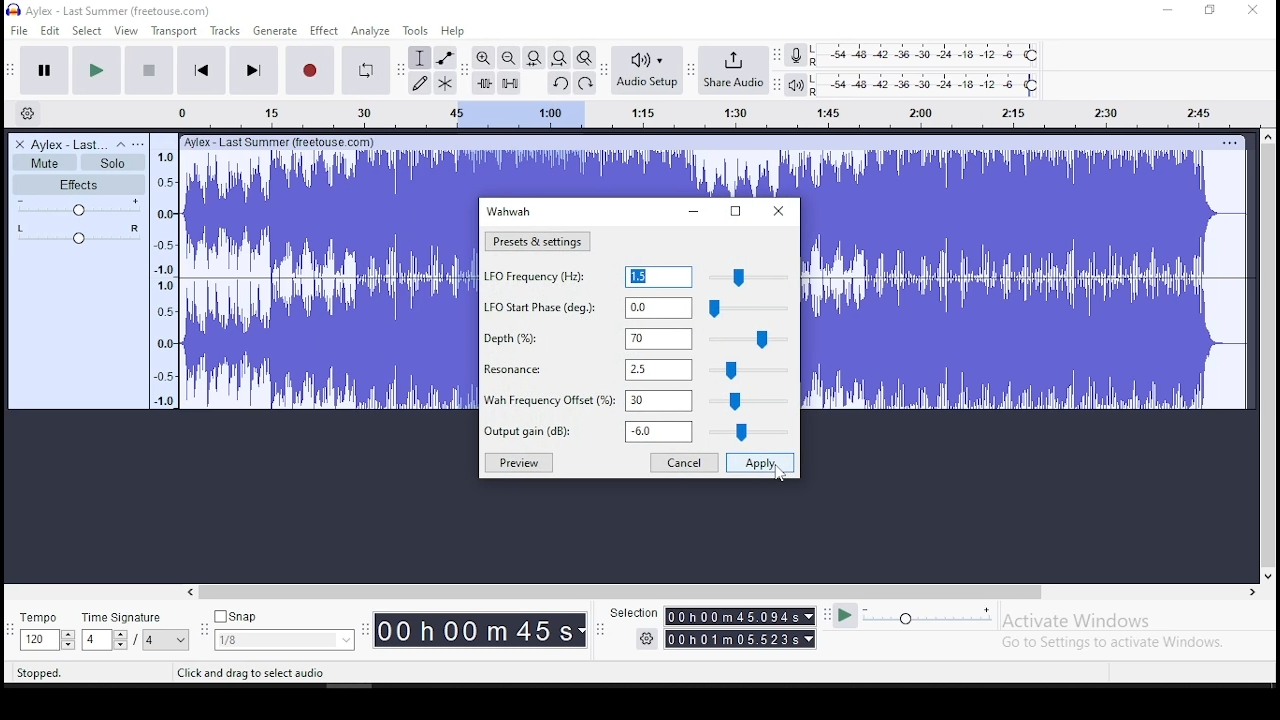 The height and width of the screenshot is (720, 1280). What do you see at coordinates (736, 71) in the screenshot?
I see `share audio` at bounding box center [736, 71].